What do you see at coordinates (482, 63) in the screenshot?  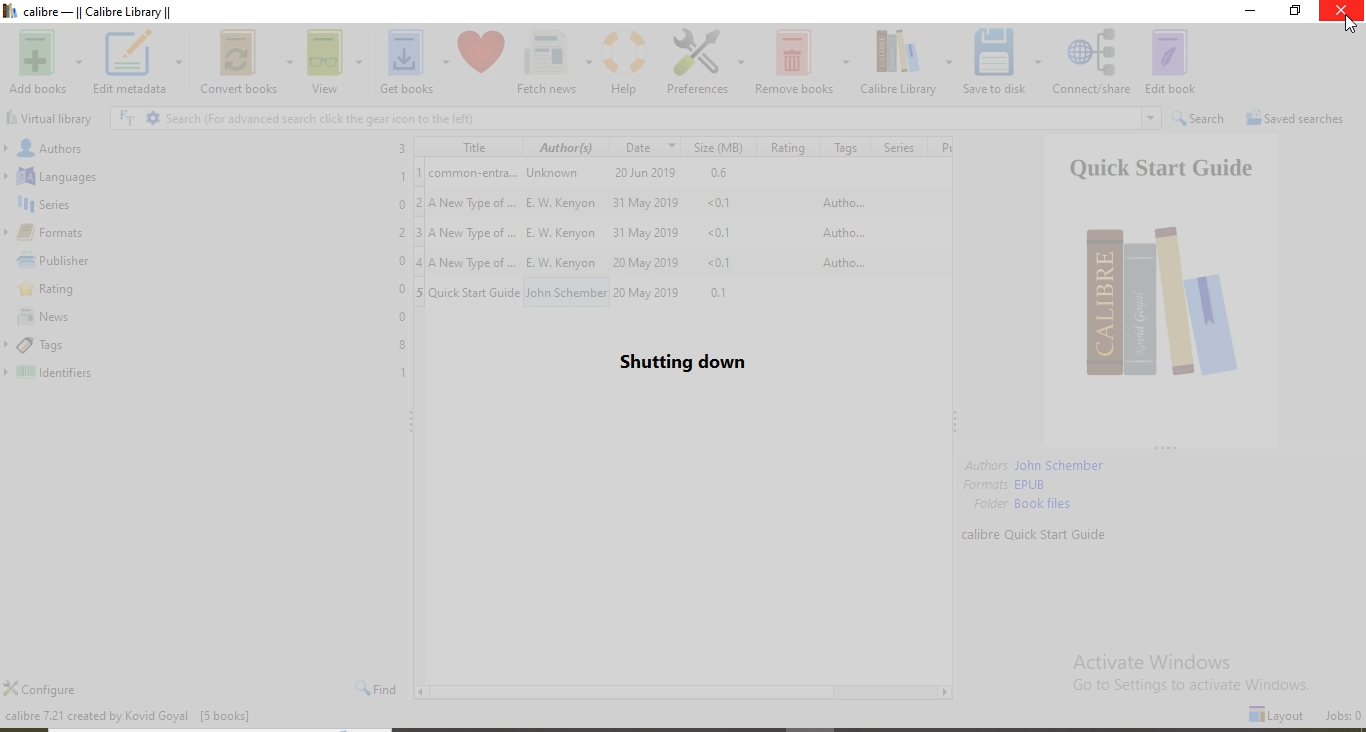 I see `Donate to s....` at bounding box center [482, 63].